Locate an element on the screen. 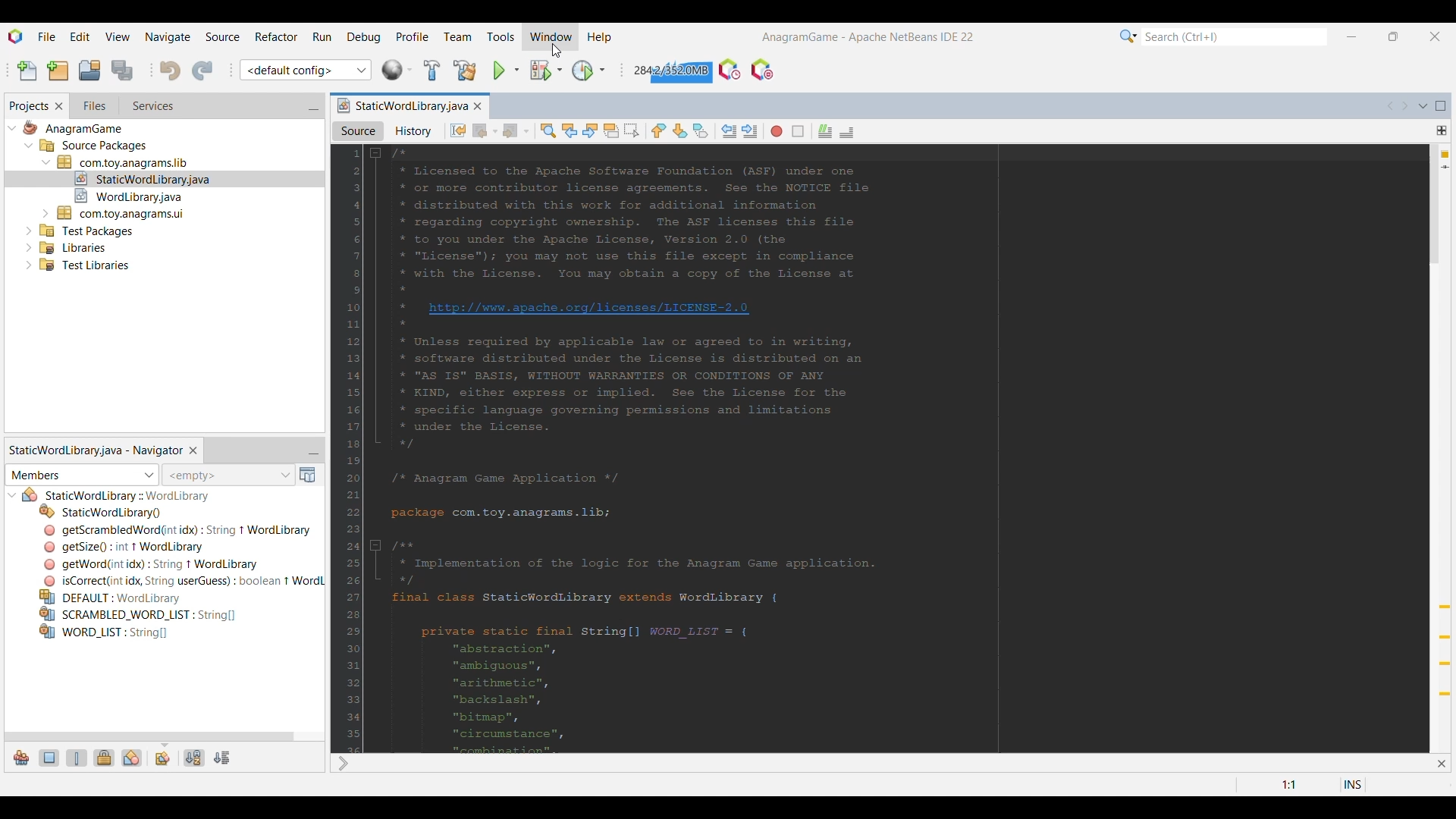  Save all is located at coordinates (124, 71).